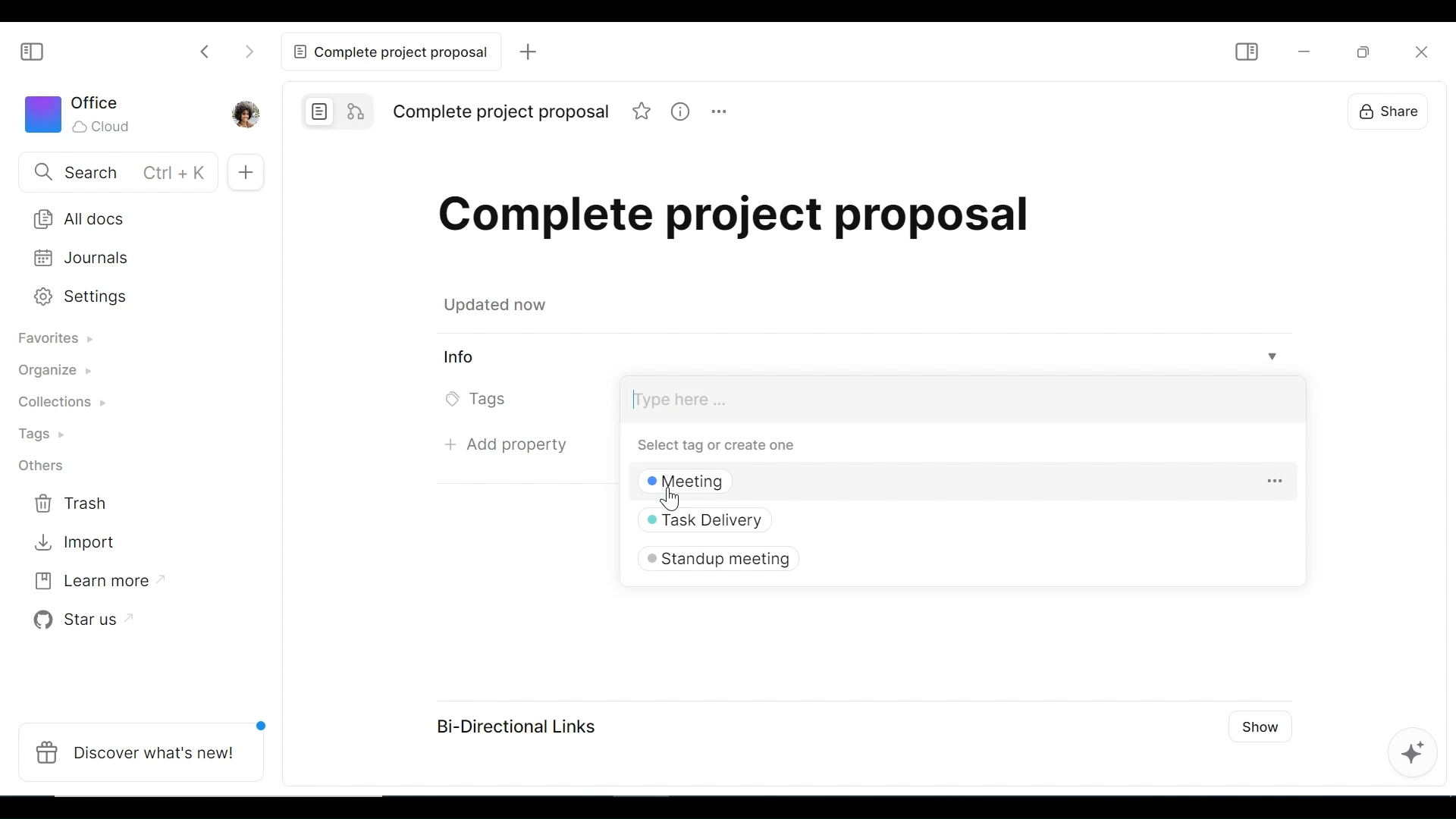 Image resolution: width=1456 pixels, height=819 pixels. I want to click on Page, so click(319, 111).